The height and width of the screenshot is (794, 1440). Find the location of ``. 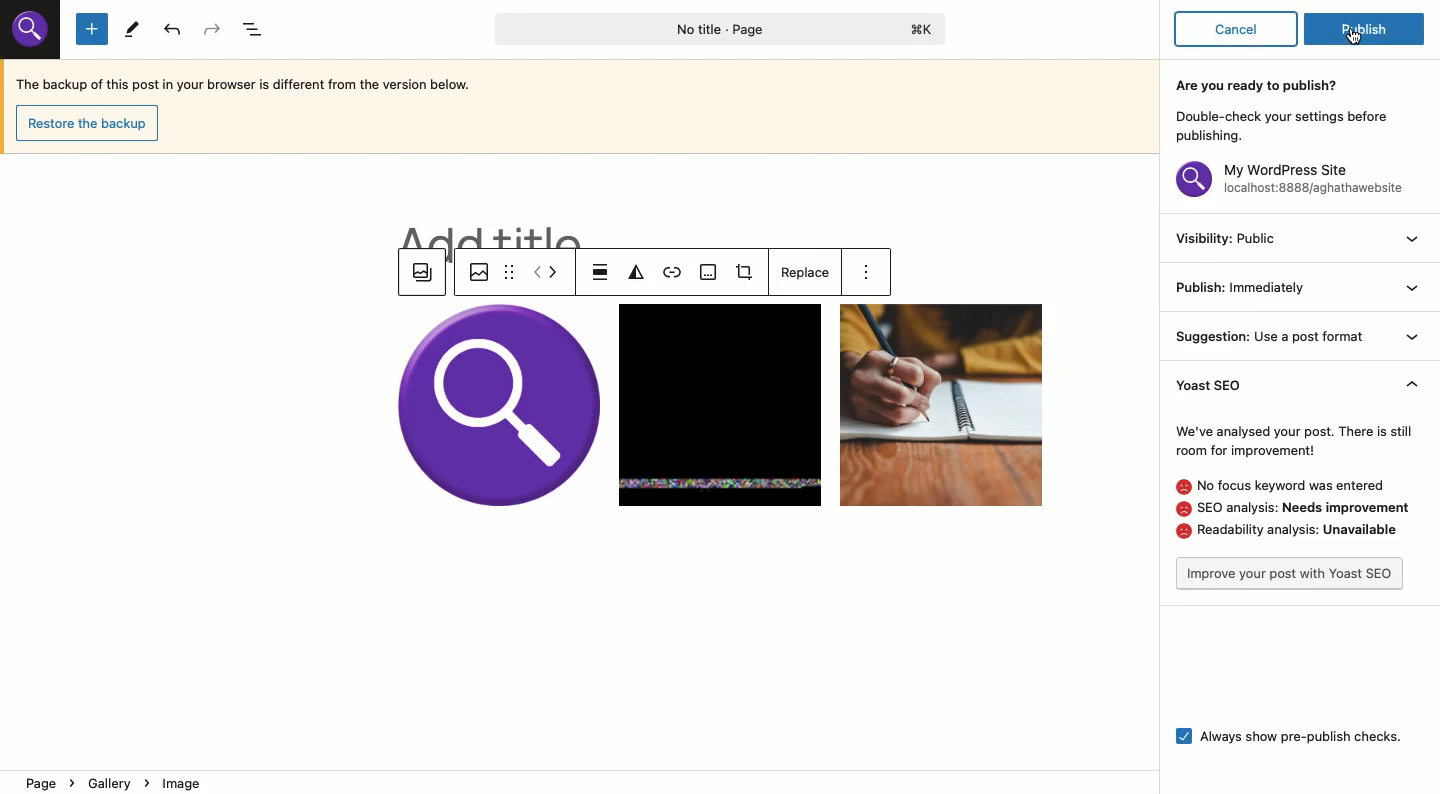

 is located at coordinates (34, 35).